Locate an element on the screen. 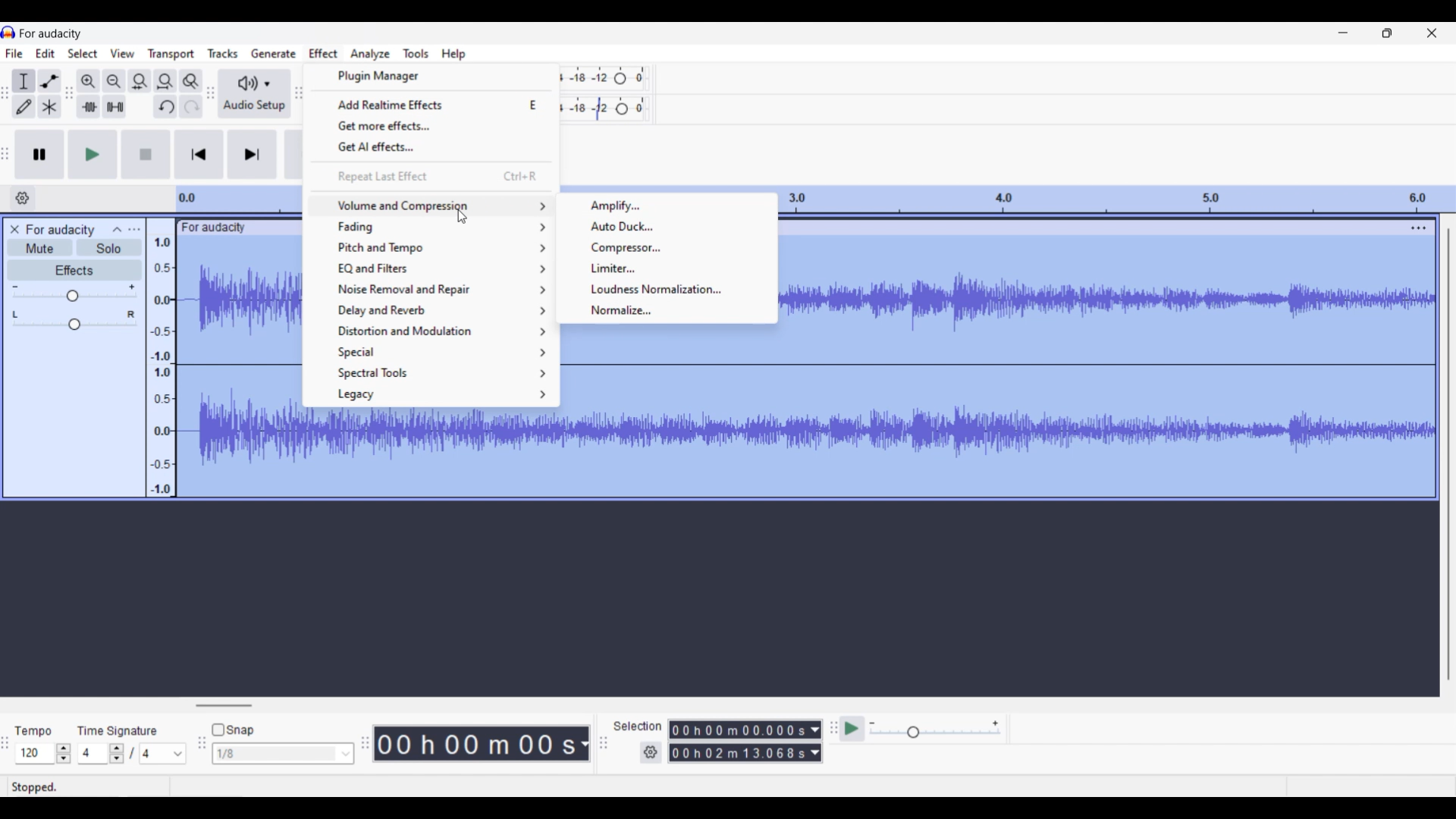 The image size is (1456, 819). Volume slide is located at coordinates (74, 293).